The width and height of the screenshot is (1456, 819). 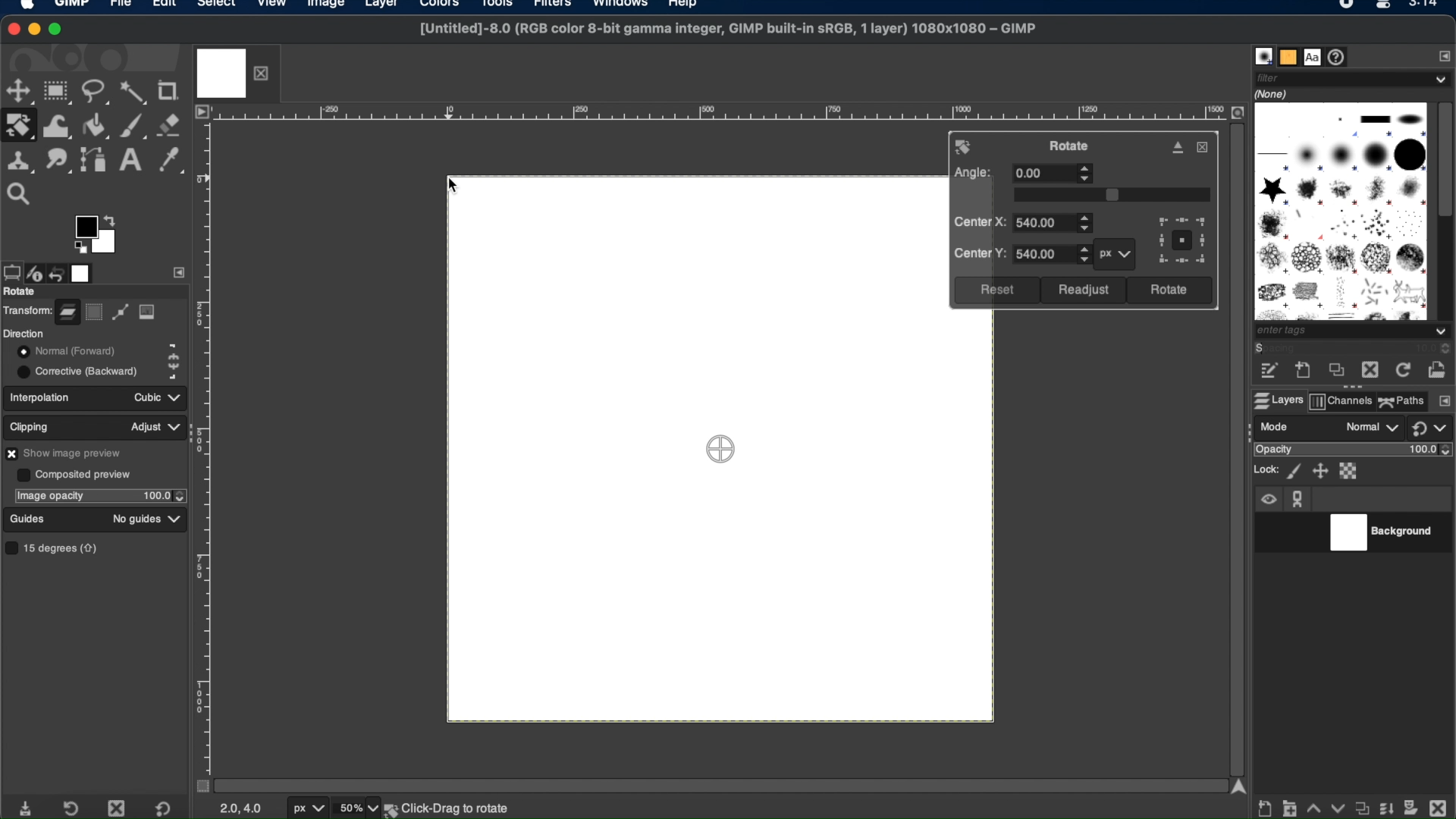 I want to click on restore to default value, so click(x=169, y=808).